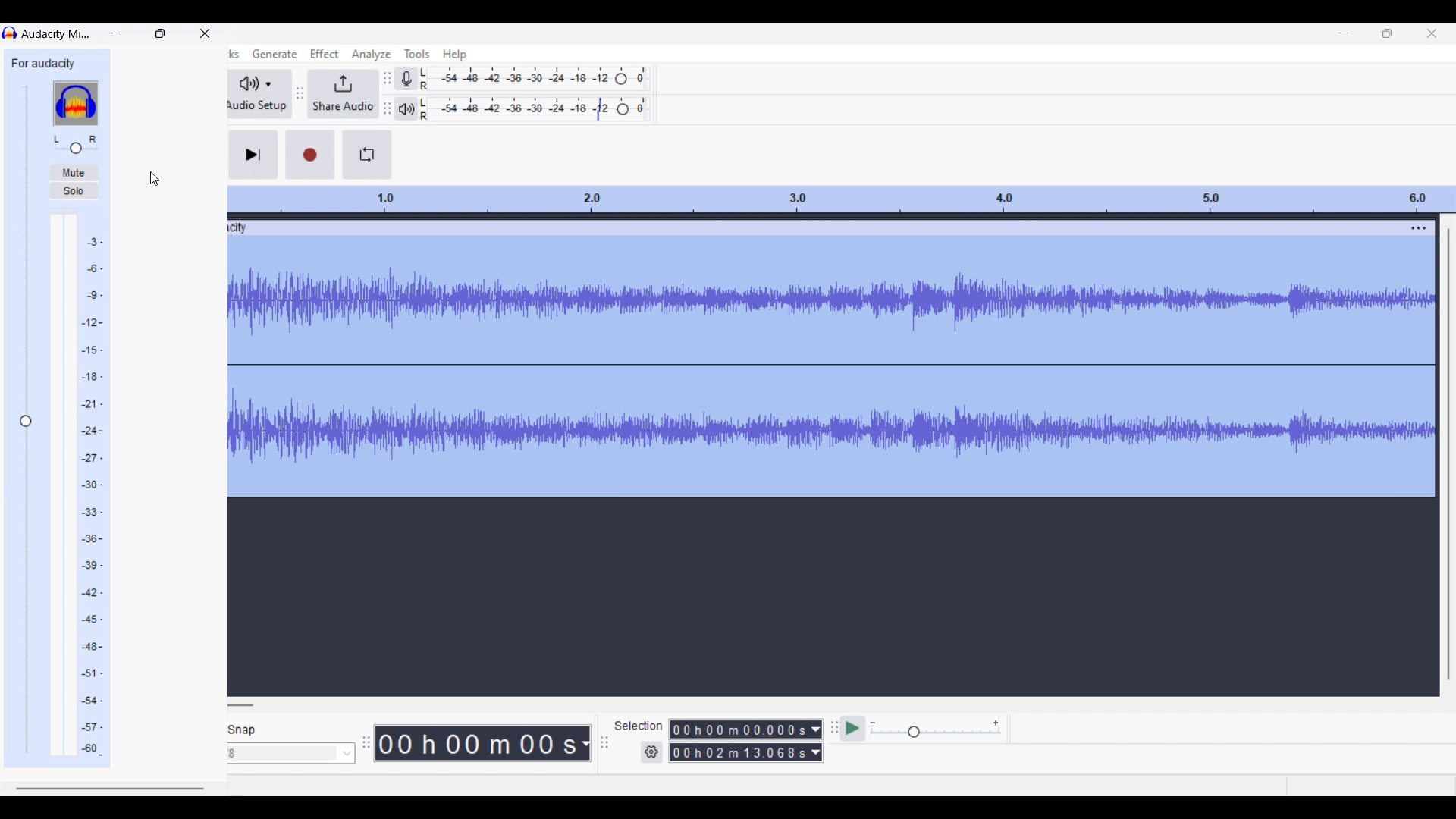 The image size is (1456, 819). What do you see at coordinates (817, 742) in the screenshot?
I see `Duration measurement options` at bounding box center [817, 742].